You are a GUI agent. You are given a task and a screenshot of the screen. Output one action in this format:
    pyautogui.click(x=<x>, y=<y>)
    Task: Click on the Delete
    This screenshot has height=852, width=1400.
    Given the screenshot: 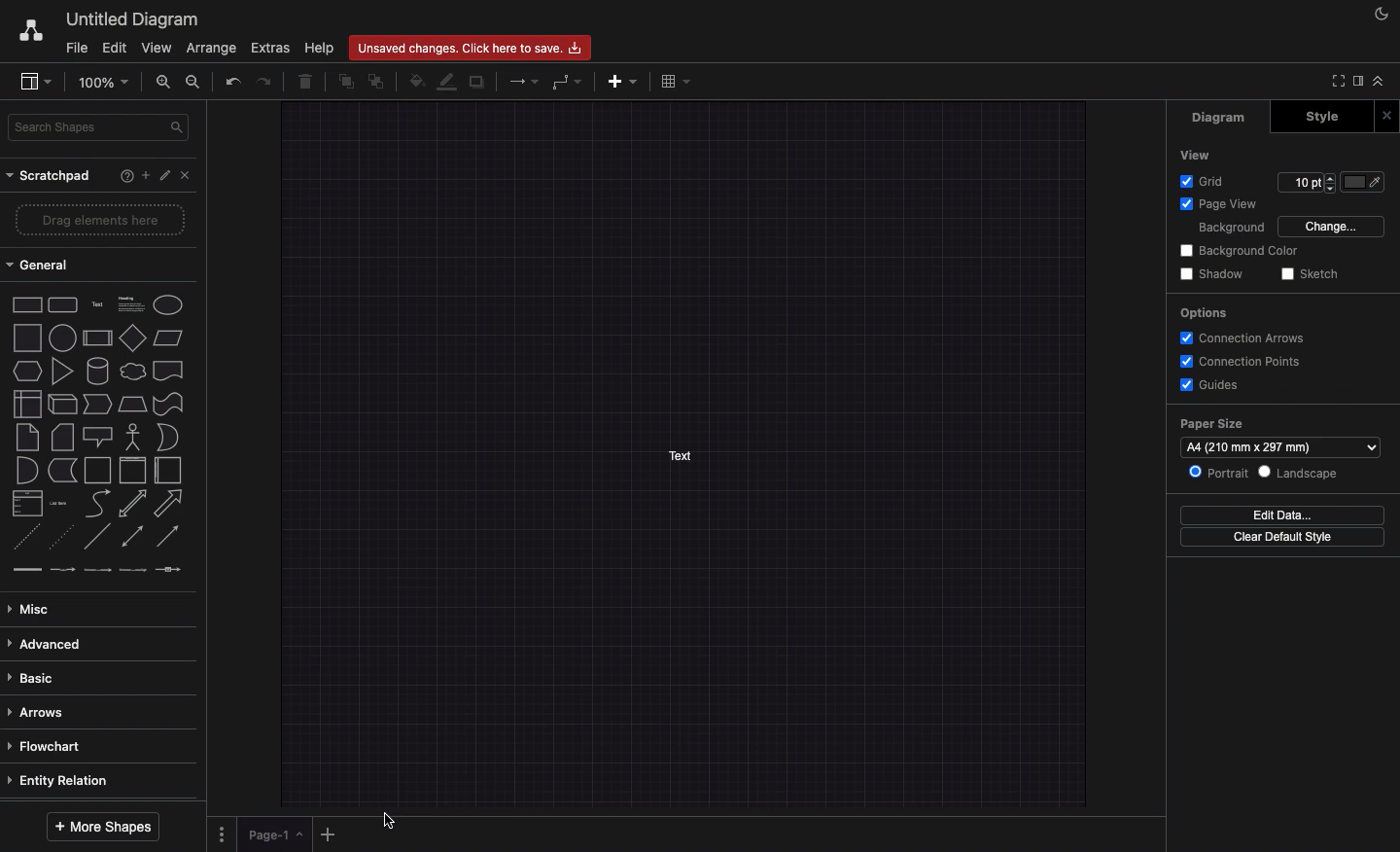 What is the action you would take?
    pyautogui.click(x=310, y=82)
    